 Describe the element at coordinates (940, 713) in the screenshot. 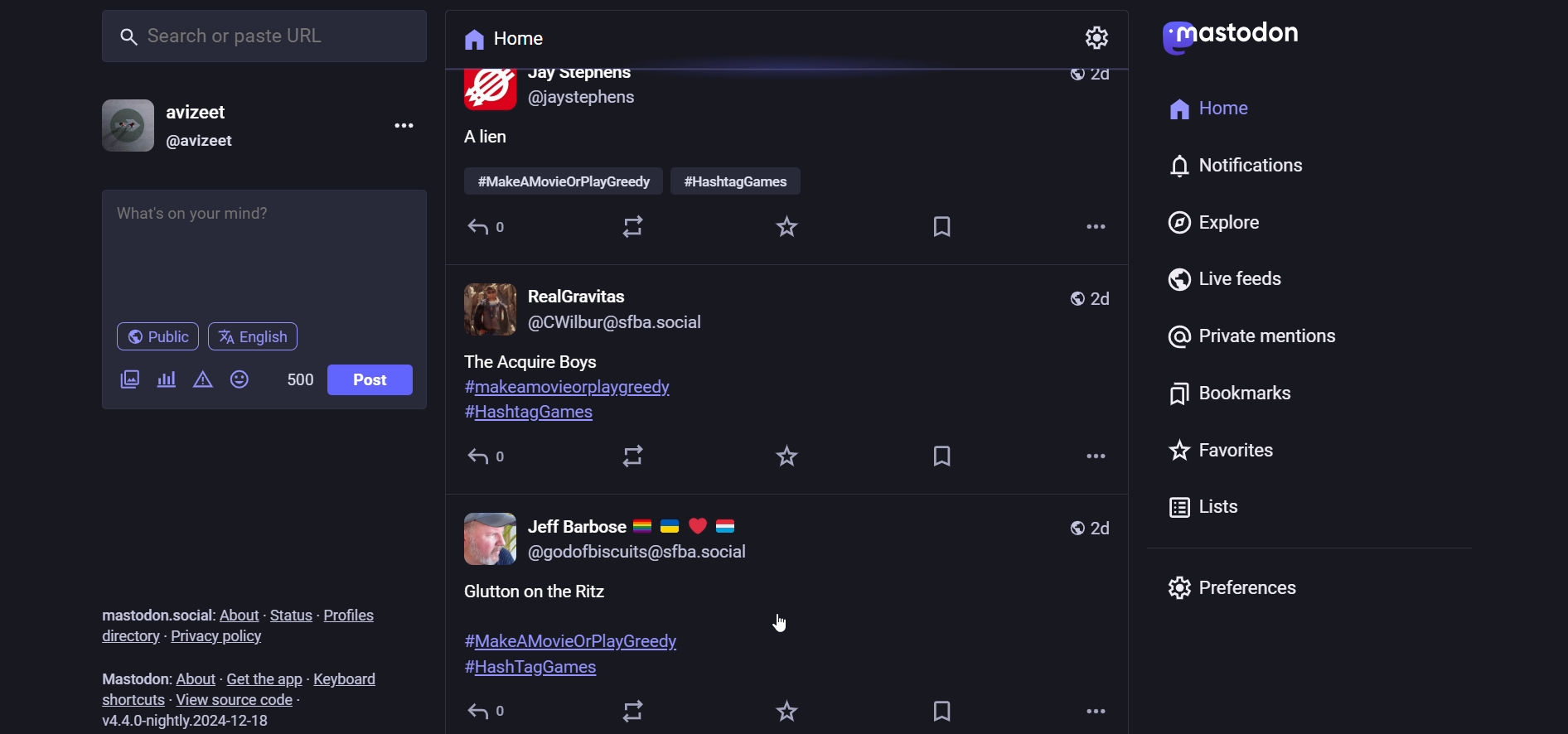

I see `bookmark` at that location.